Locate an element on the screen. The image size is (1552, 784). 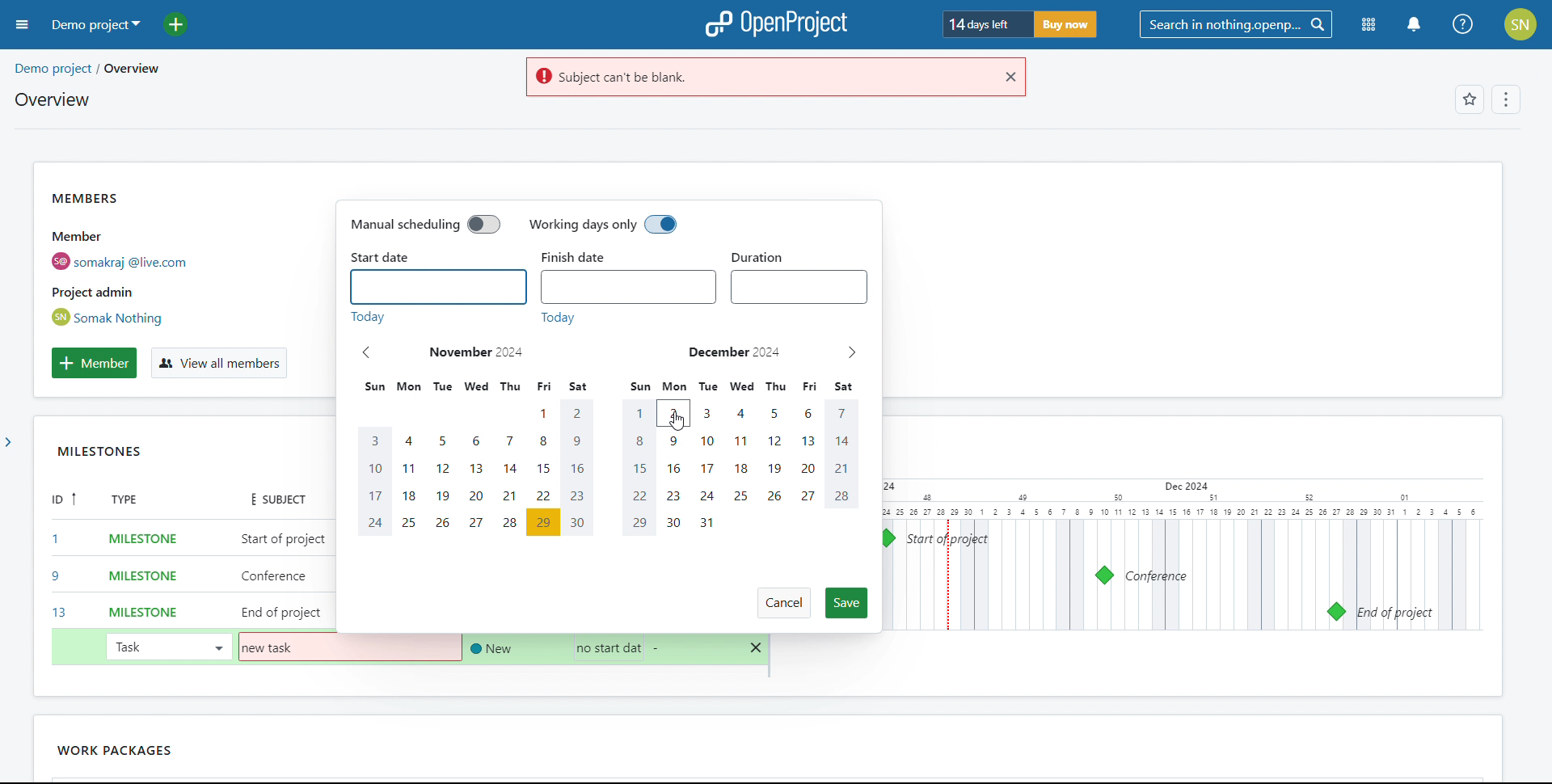
start date is located at coordinates (382, 258).